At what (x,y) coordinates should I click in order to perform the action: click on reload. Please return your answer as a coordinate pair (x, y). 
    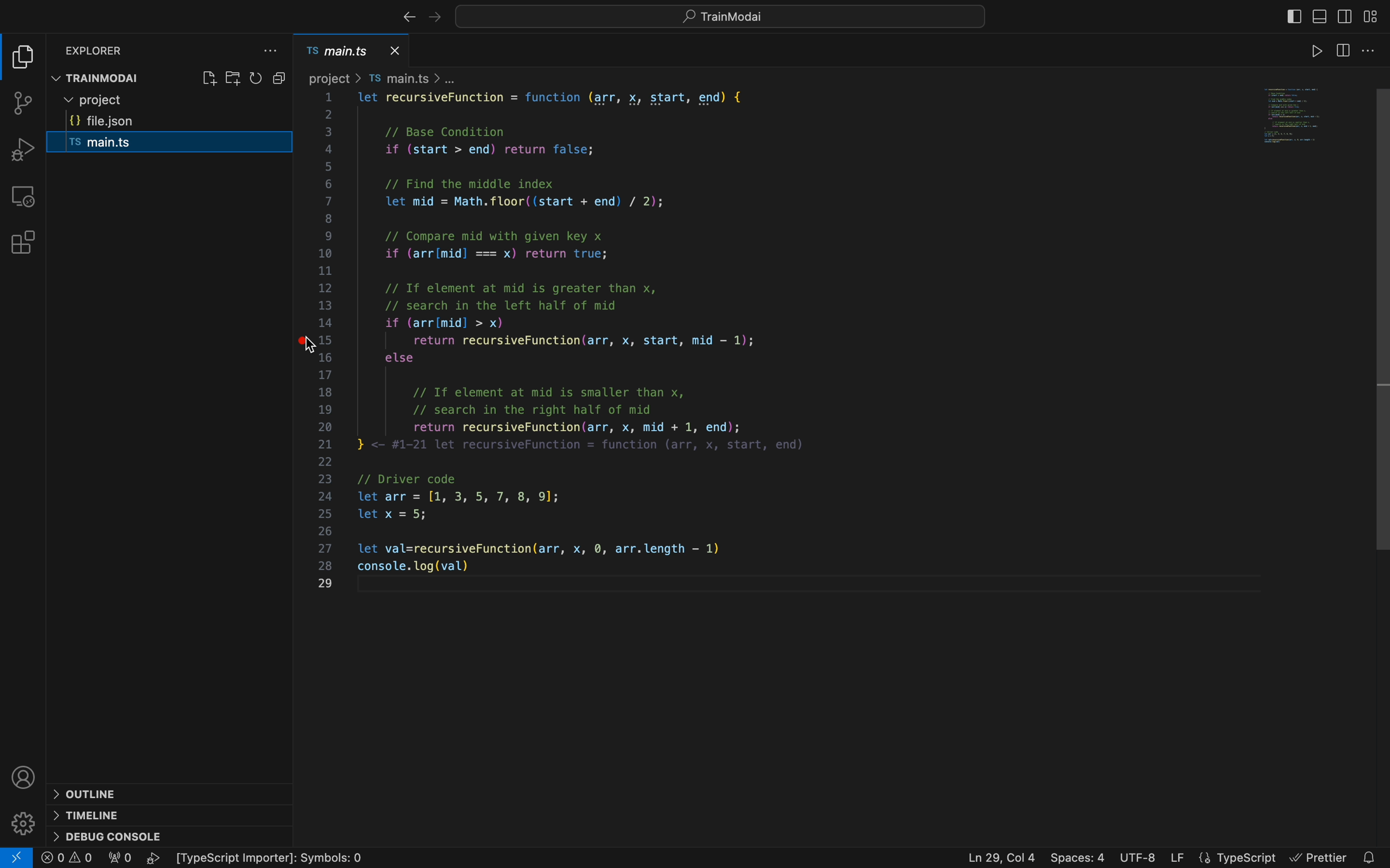
    Looking at the image, I should click on (257, 80).